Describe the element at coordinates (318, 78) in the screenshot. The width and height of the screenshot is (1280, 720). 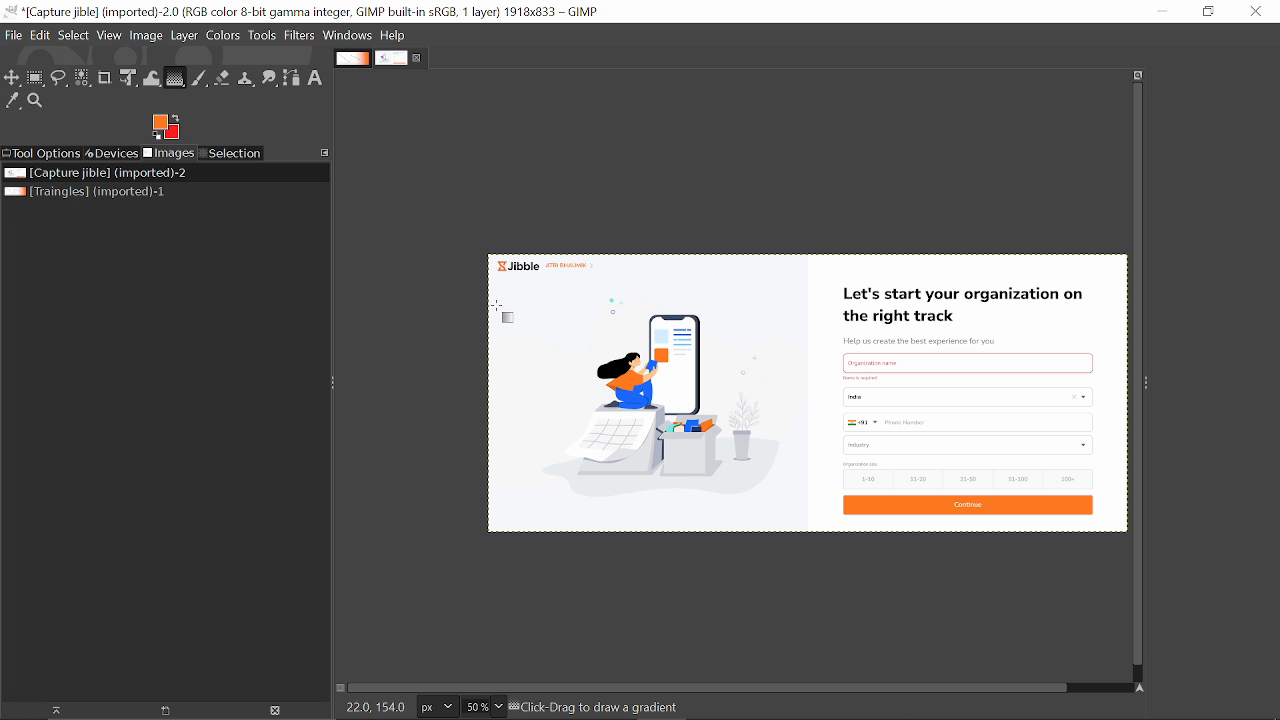
I see `text tool` at that location.